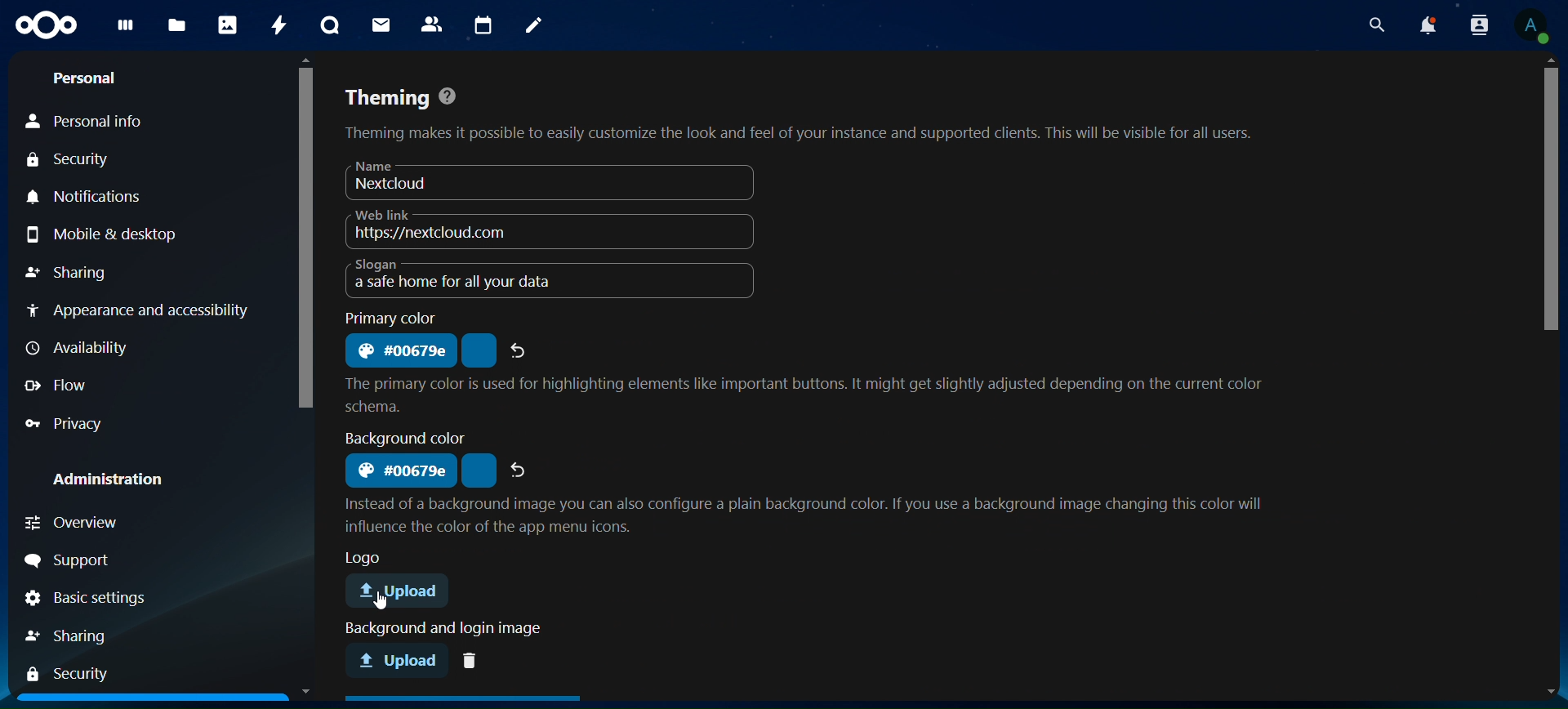 The image size is (1568, 709). I want to click on notoifications, so click(1429, 26).